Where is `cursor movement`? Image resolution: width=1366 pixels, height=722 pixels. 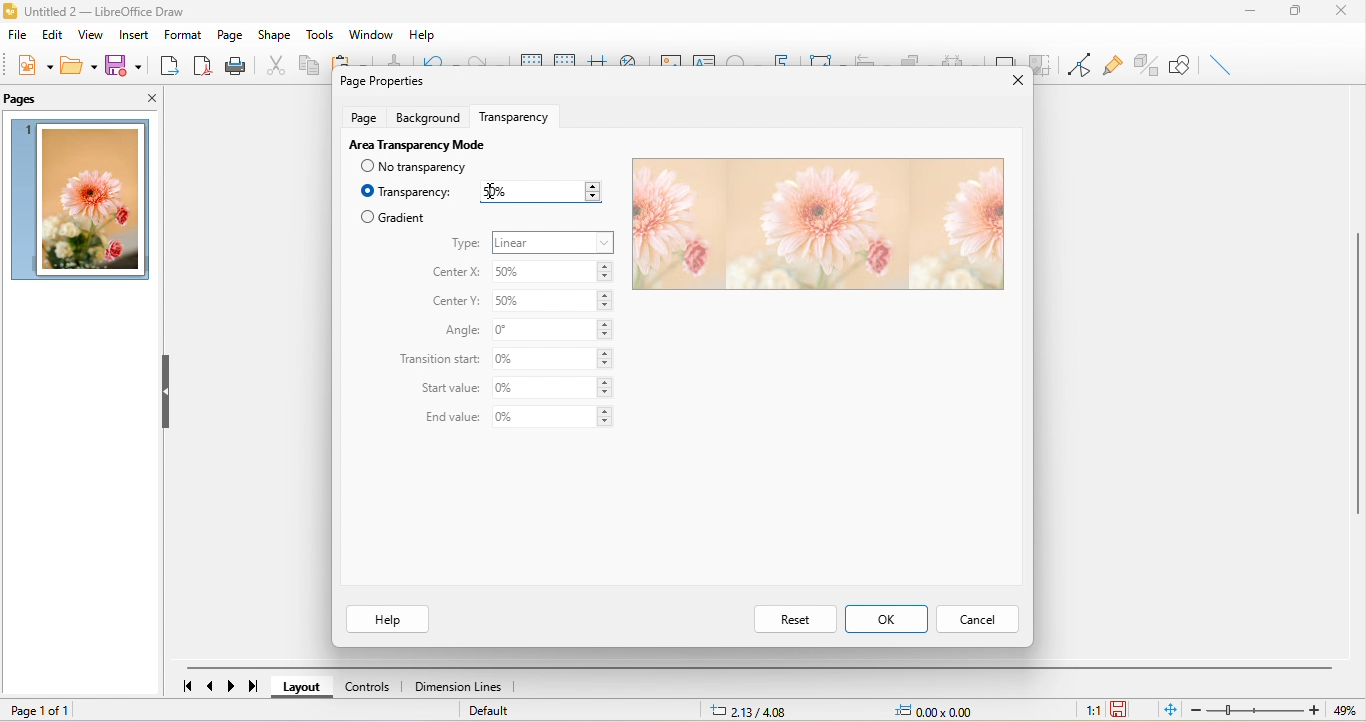 cursor movement is located at coordinates (494, 190).